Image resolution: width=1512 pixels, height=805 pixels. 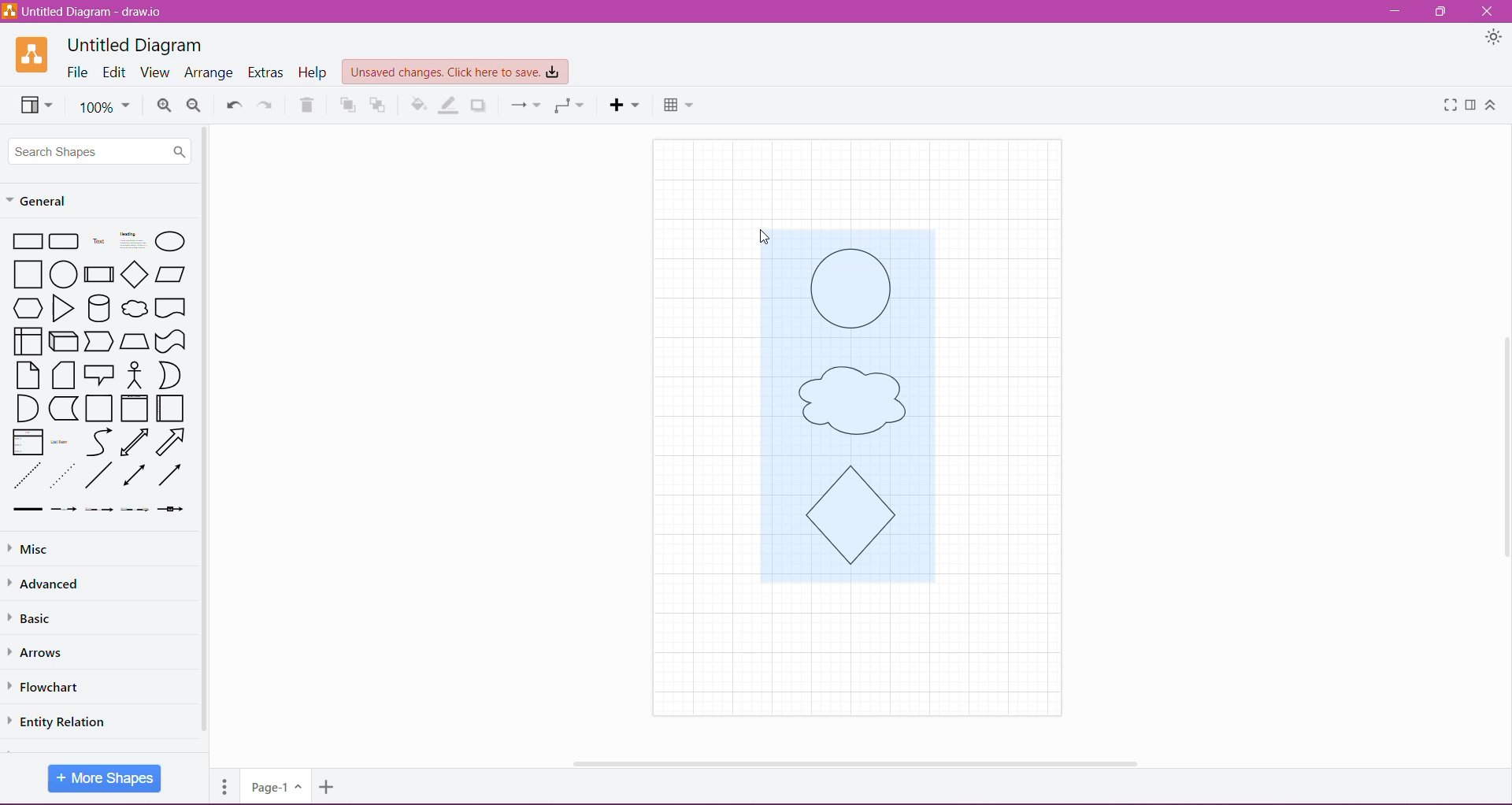 I want to click on Delete, so click(x=307, y=105).